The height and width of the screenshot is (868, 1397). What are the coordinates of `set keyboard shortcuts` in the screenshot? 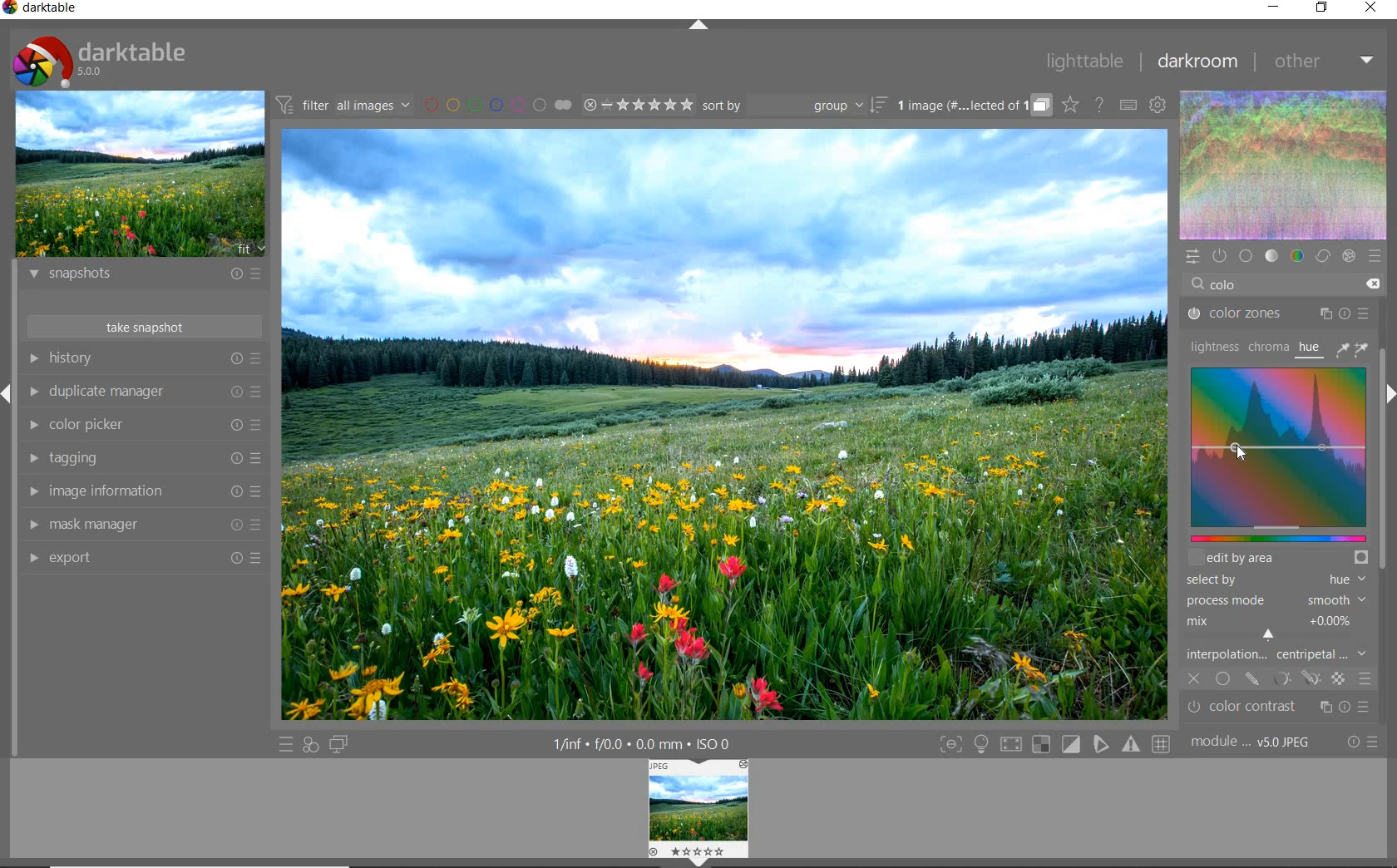 It's located at (1127, 106).